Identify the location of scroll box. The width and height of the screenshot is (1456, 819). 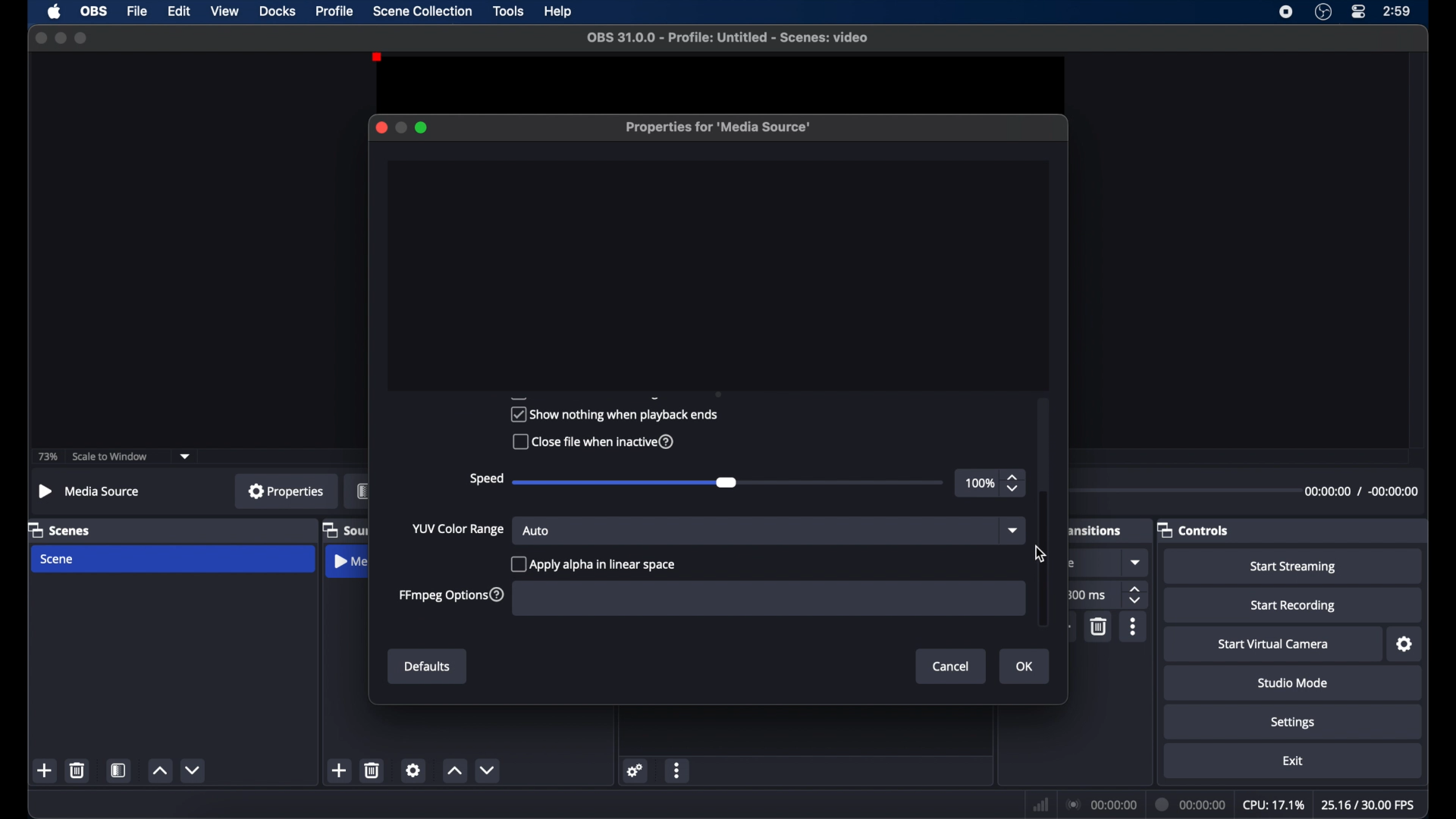
(1045, 559).